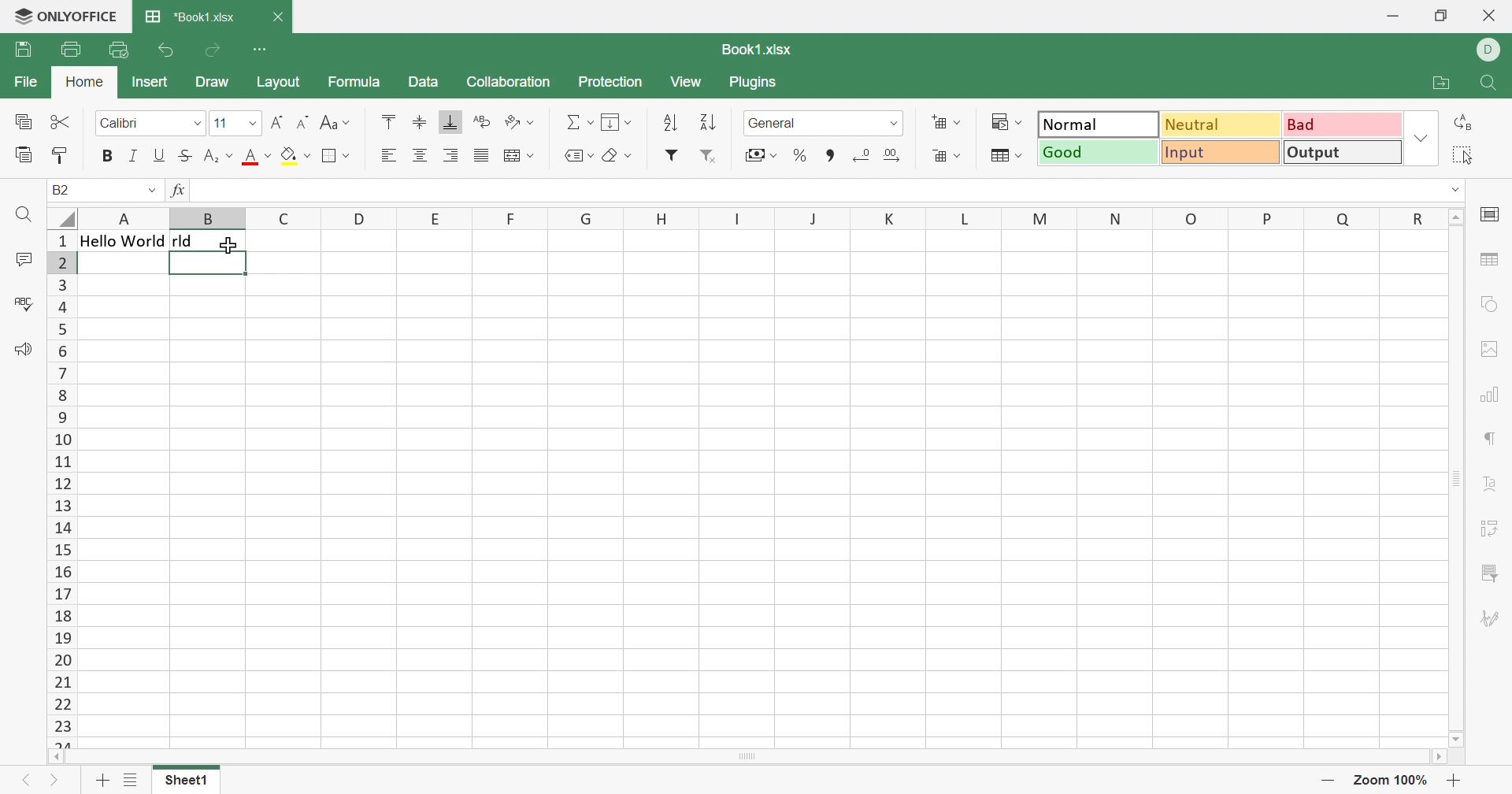  Describe the element at coordinates (26, 302) in the screenshot. I see `Spell checking` at that location.